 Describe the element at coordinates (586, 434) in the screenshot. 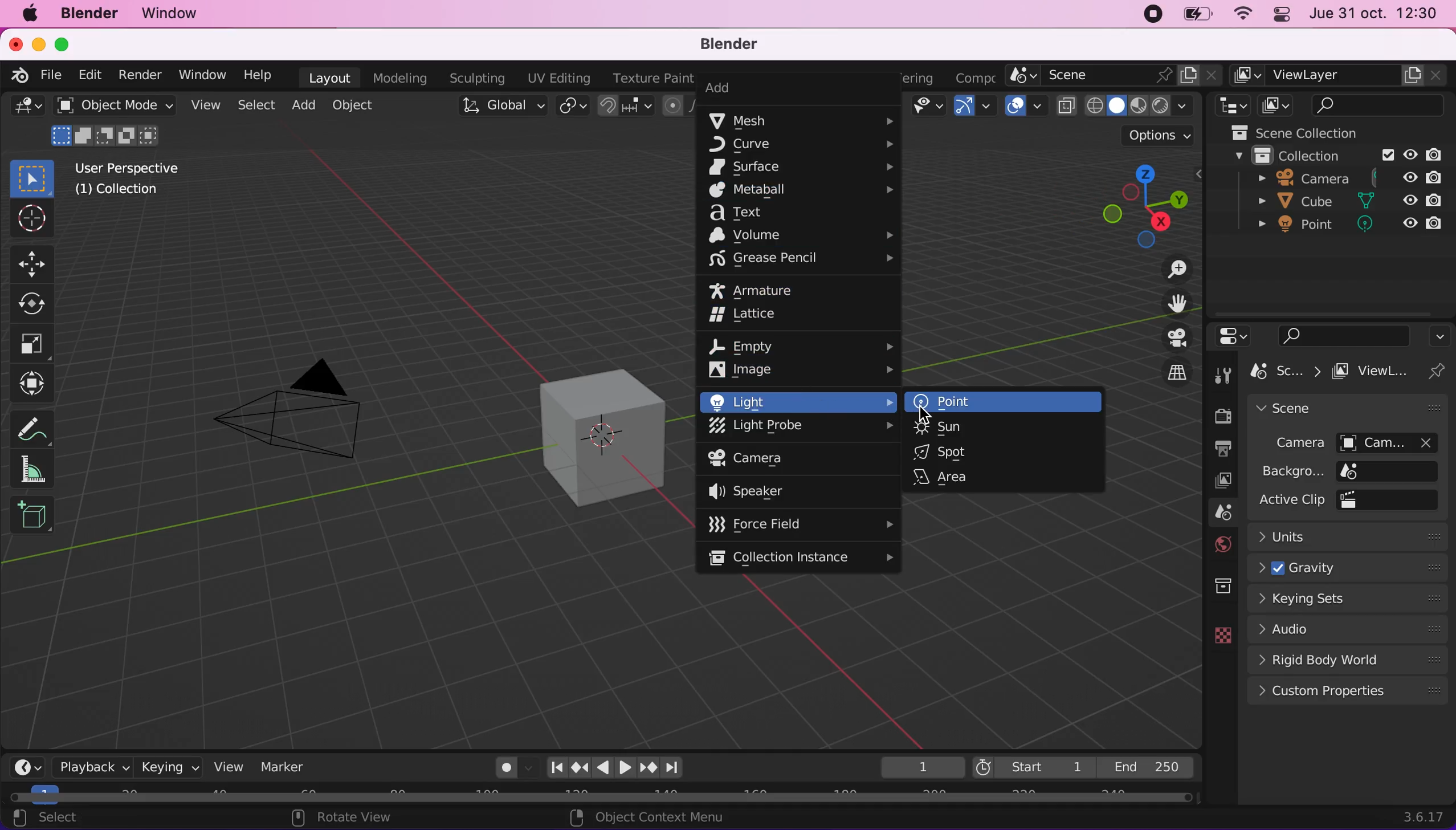

I see `cube` at that location.